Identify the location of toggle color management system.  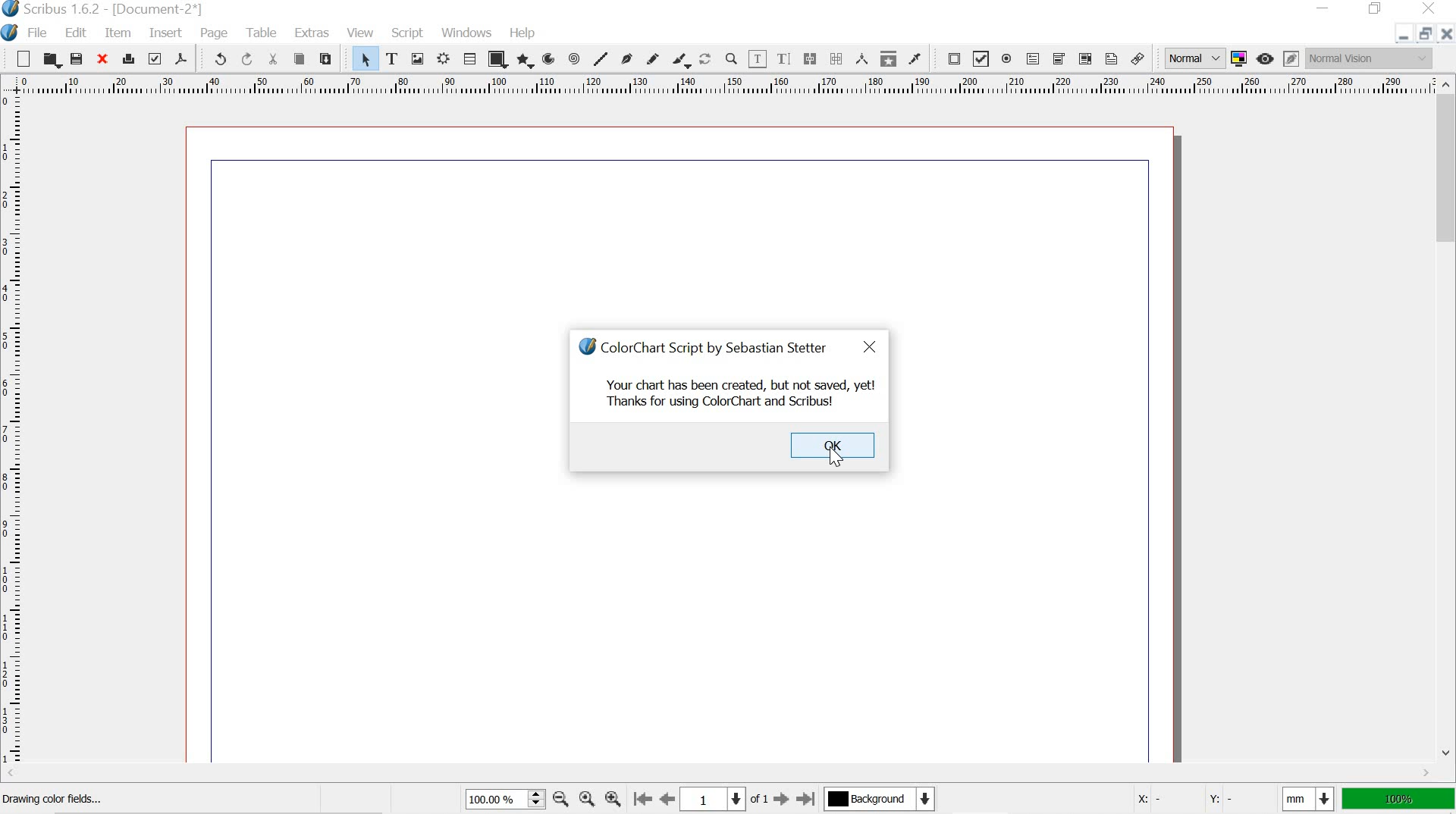
(1241, 58).